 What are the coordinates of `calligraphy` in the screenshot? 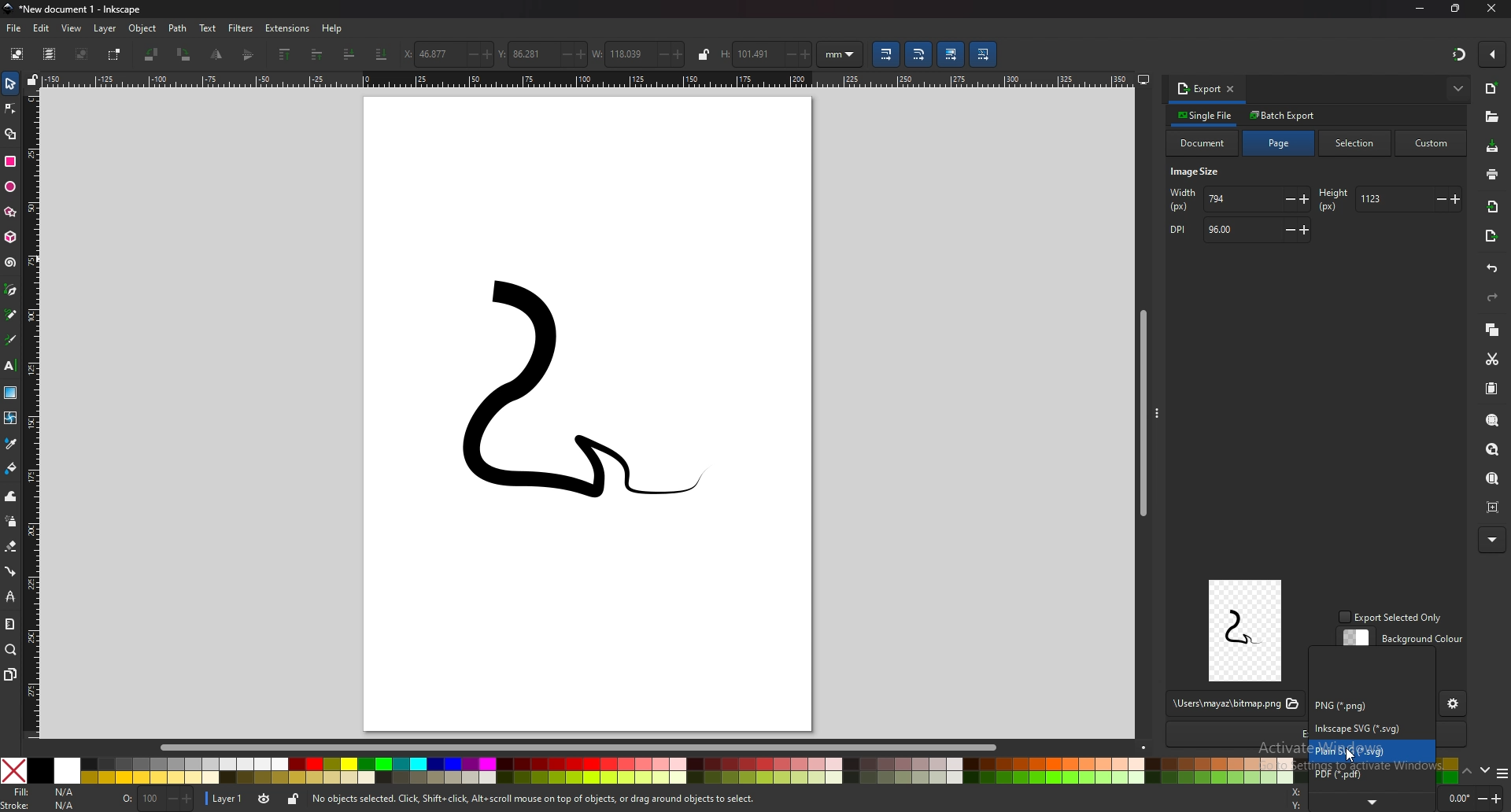 It's located at (11, 339).